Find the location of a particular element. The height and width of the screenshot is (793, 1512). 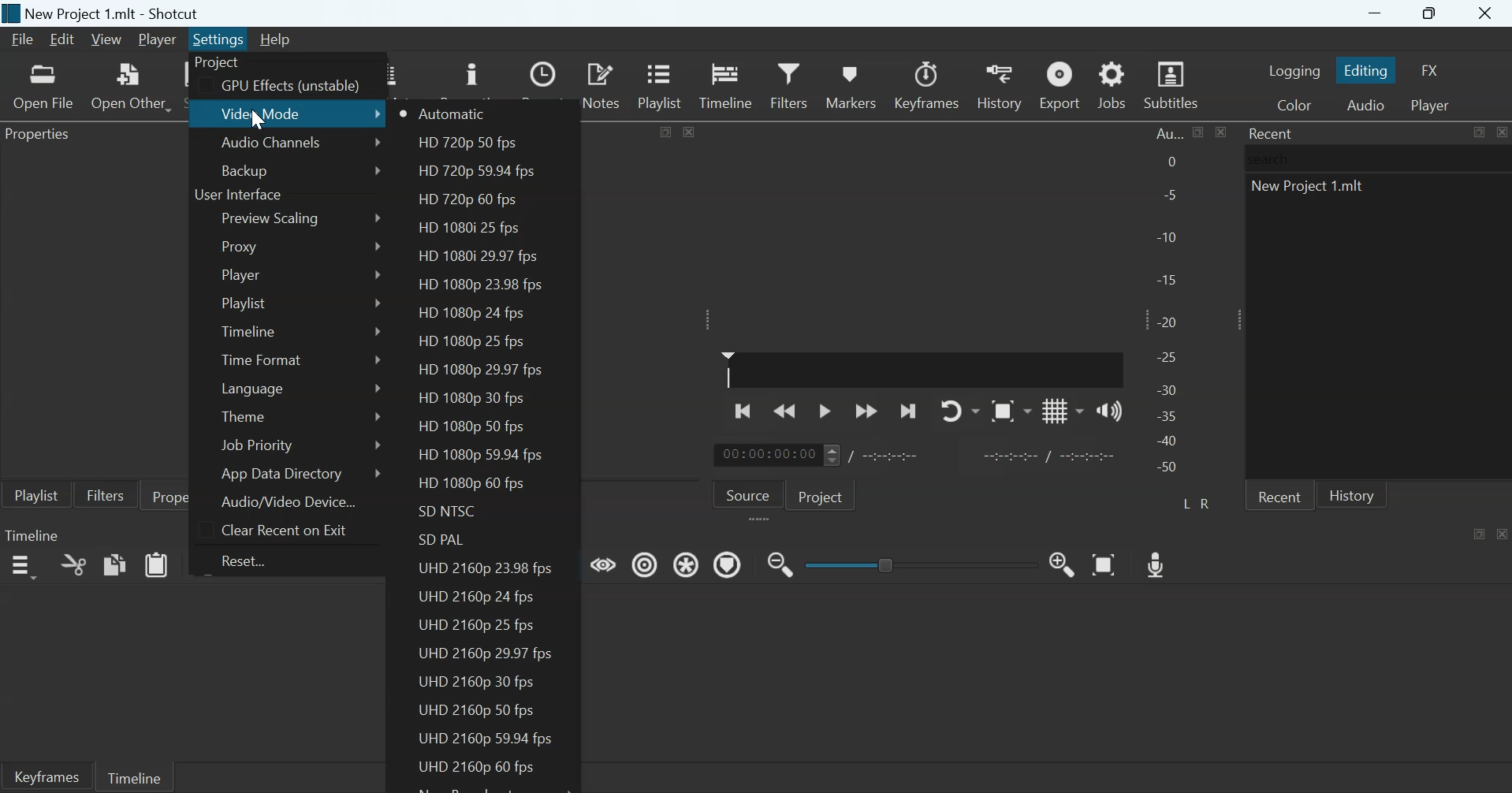

HD 1080p 23.98fps is located at coordinates (482, 285).